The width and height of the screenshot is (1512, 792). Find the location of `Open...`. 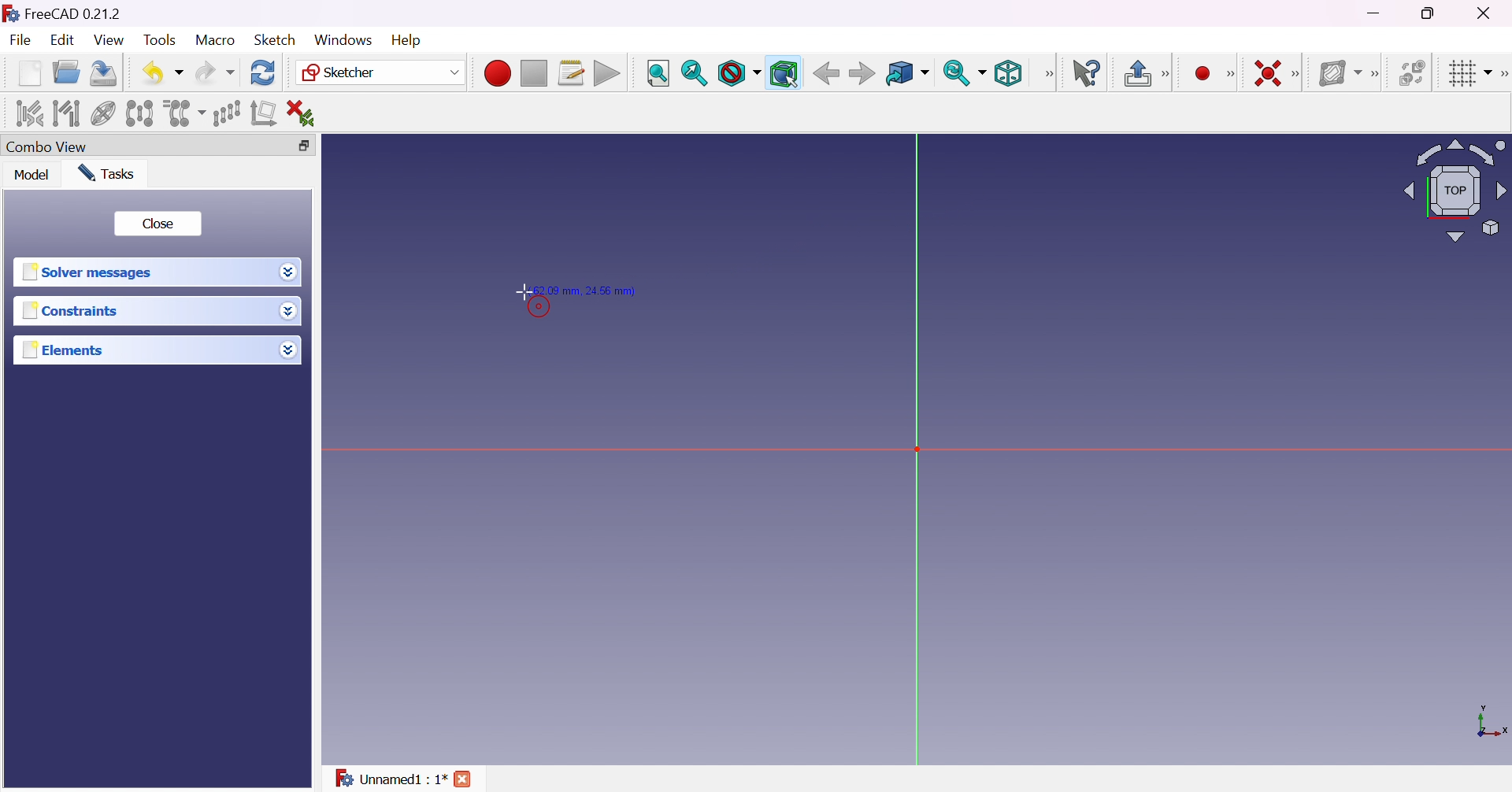

Open... is located at coordinates (65, 73).